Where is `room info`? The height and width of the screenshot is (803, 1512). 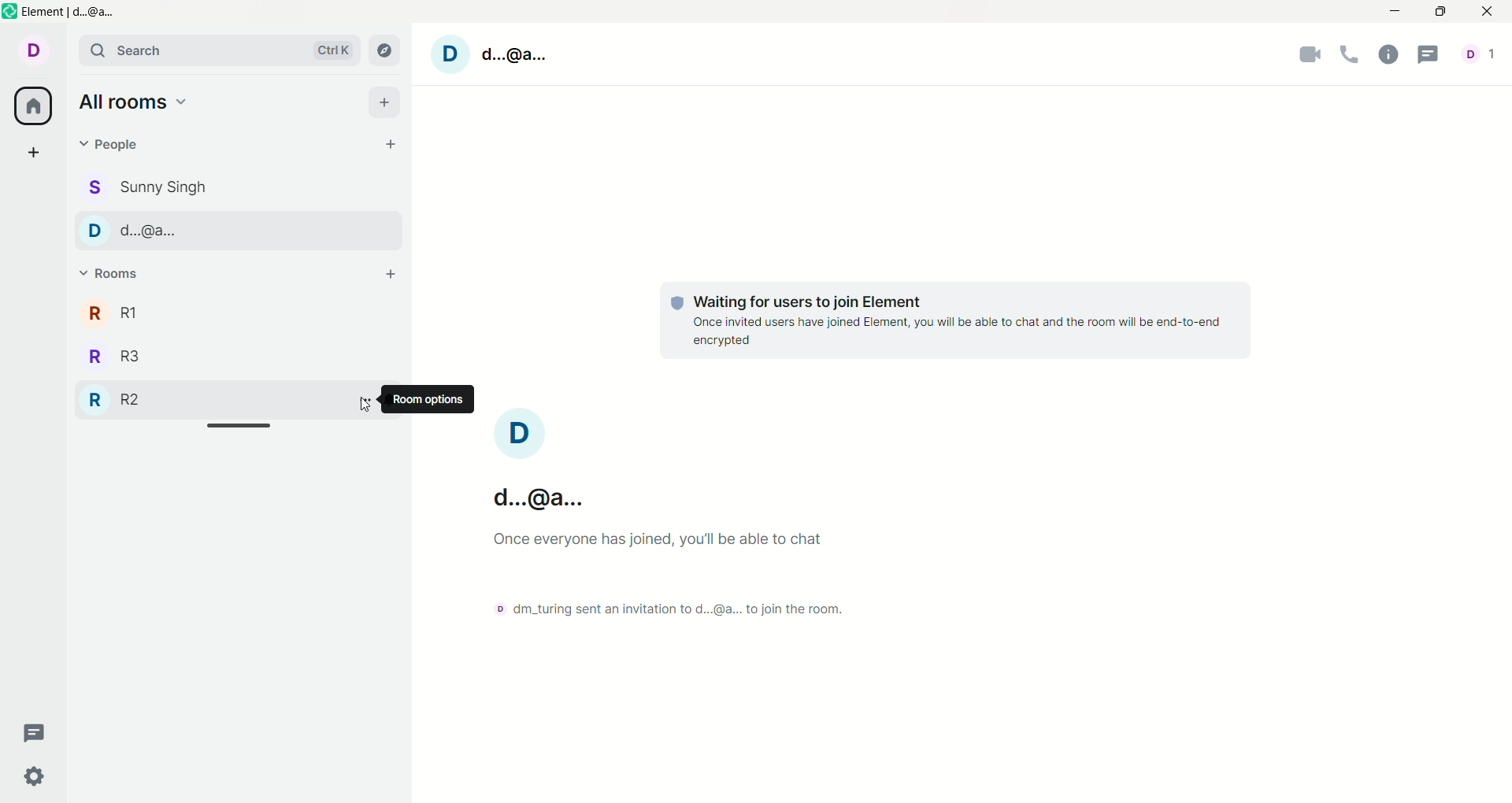 room info is located at coordinates (1388, 56).